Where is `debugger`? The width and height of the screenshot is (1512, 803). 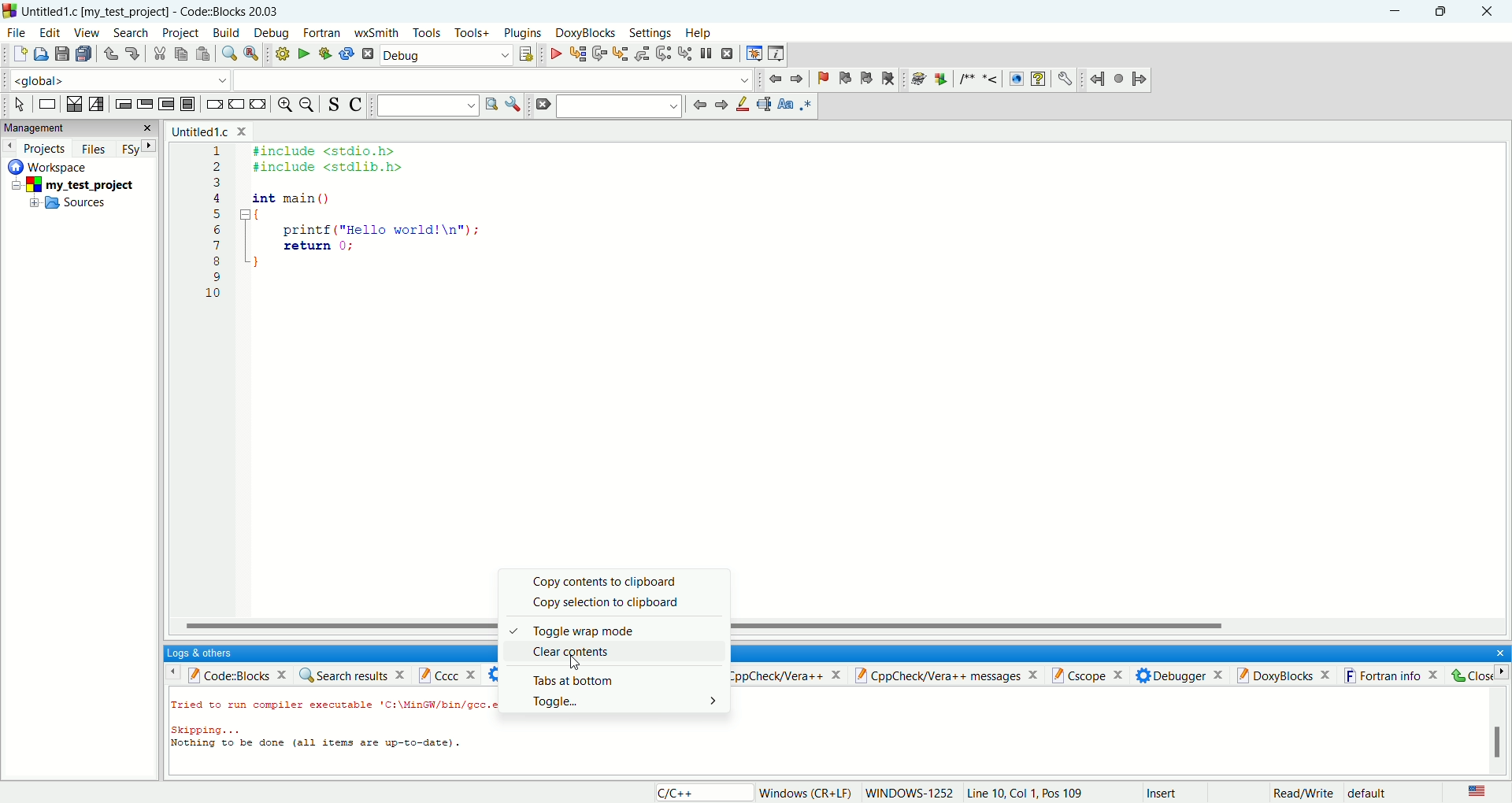 debugger is located at coordinates (1183, 675).